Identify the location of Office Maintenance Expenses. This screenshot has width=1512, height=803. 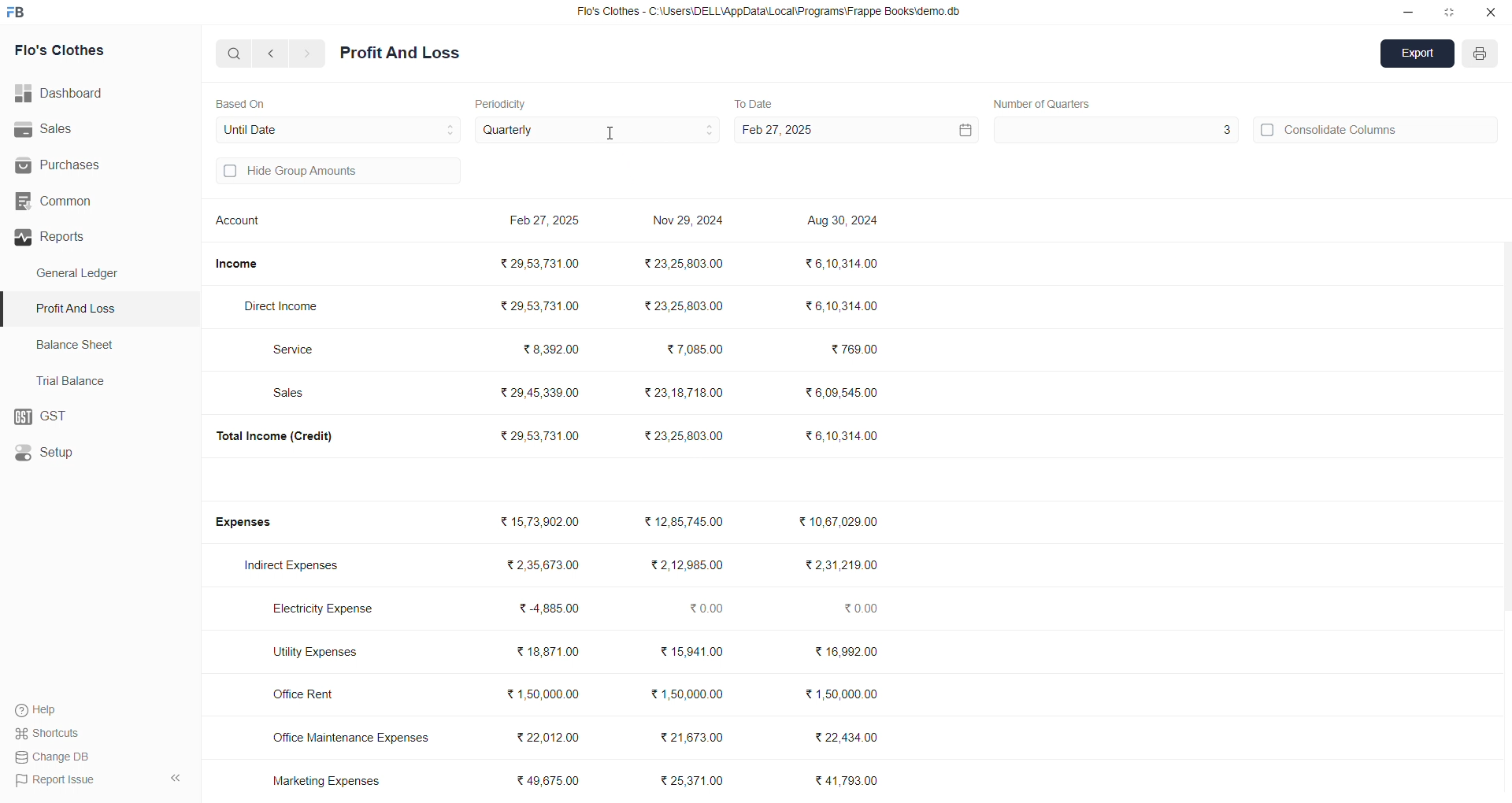
(351, 737).